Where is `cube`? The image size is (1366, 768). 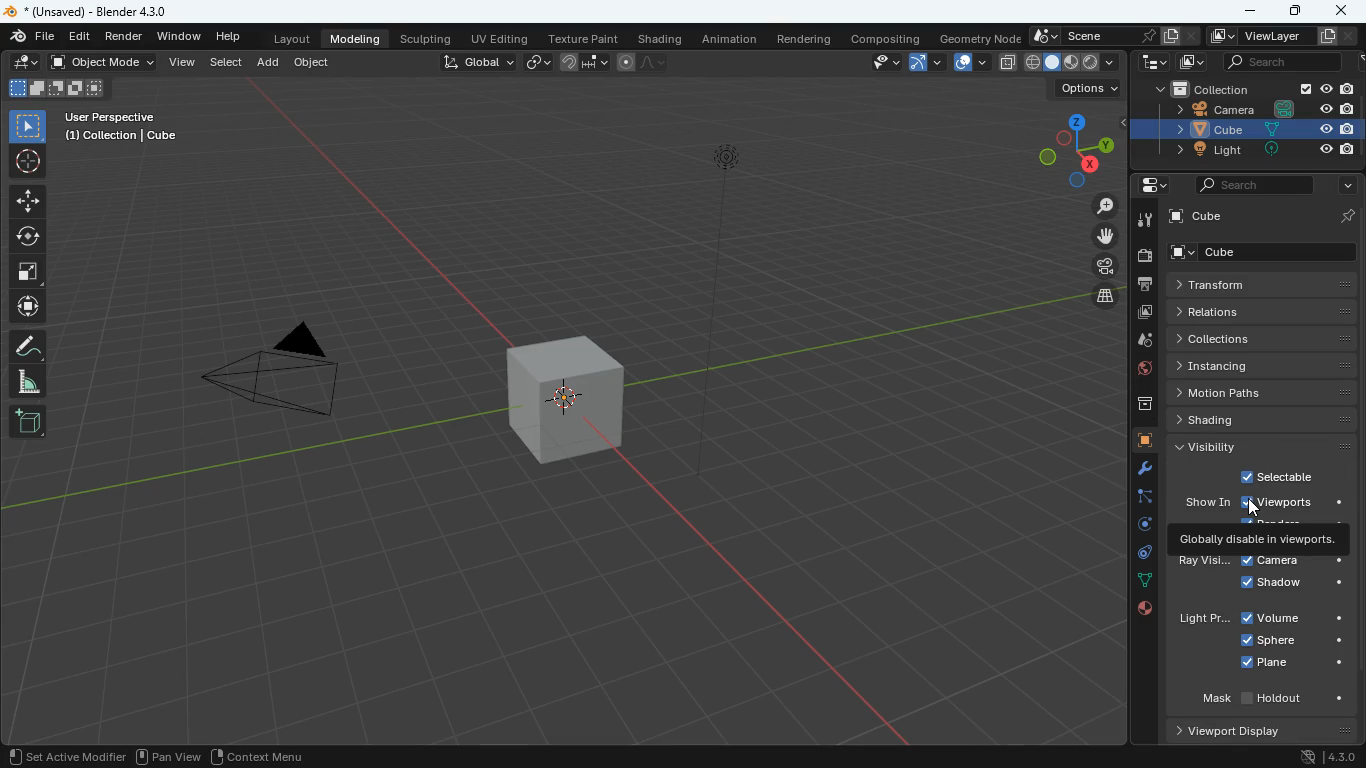
cube is located at coordinates (1242, 130).